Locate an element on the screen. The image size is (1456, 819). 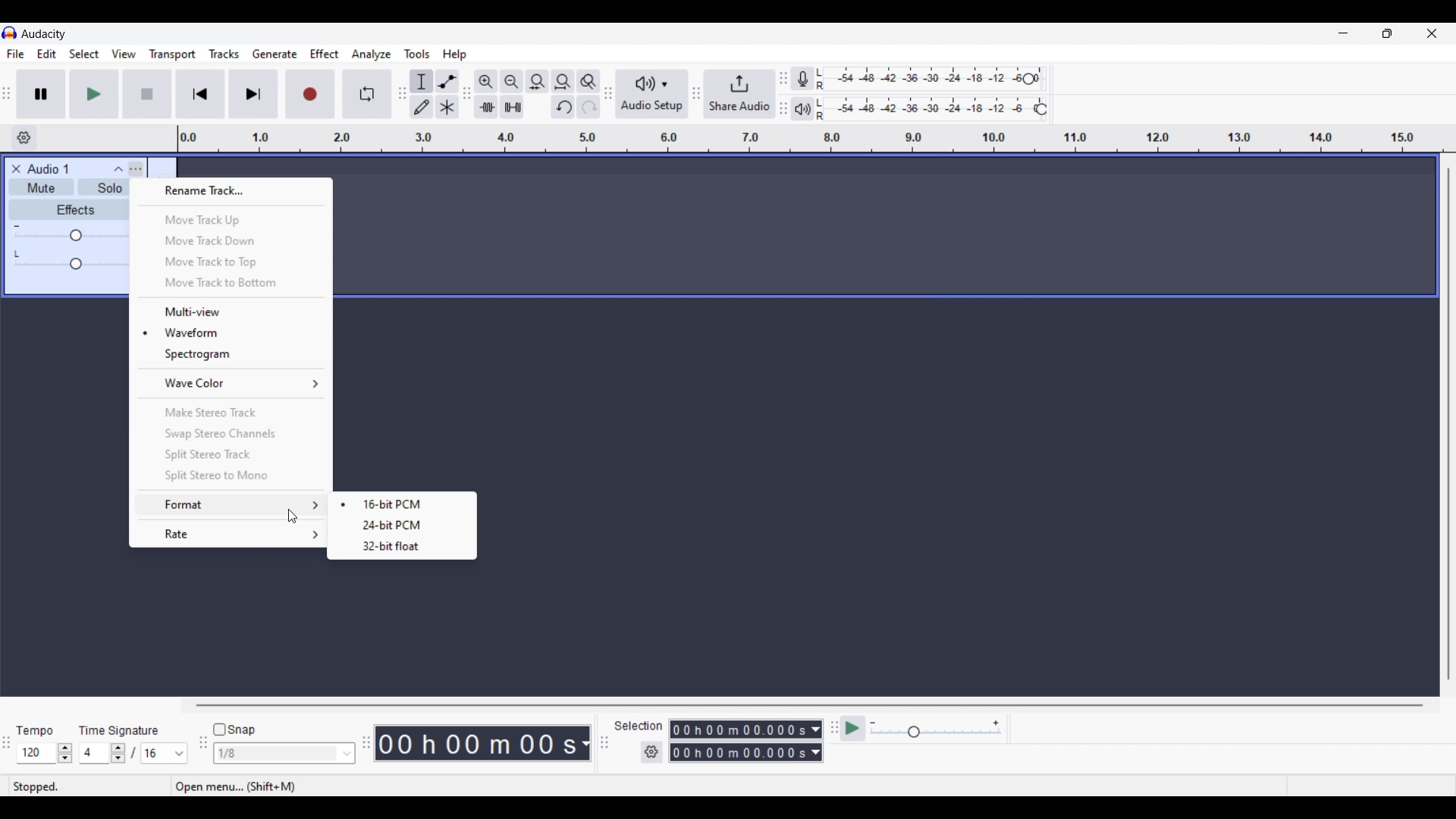
Tools menu is located at coordinates (417, 54).